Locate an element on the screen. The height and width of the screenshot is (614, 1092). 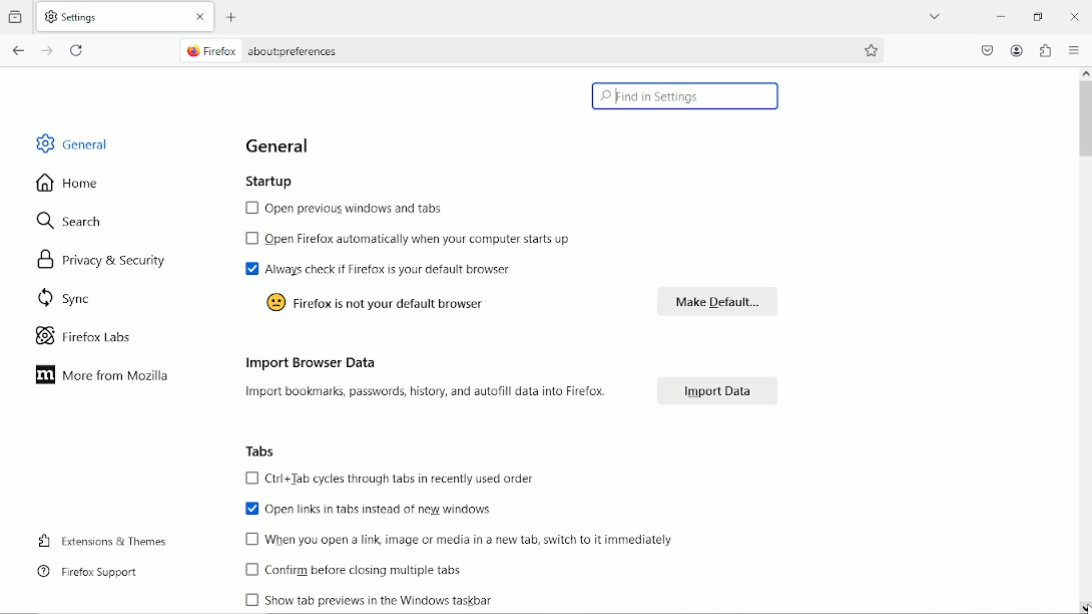
open application menu is located at coordinates (1072, 50).